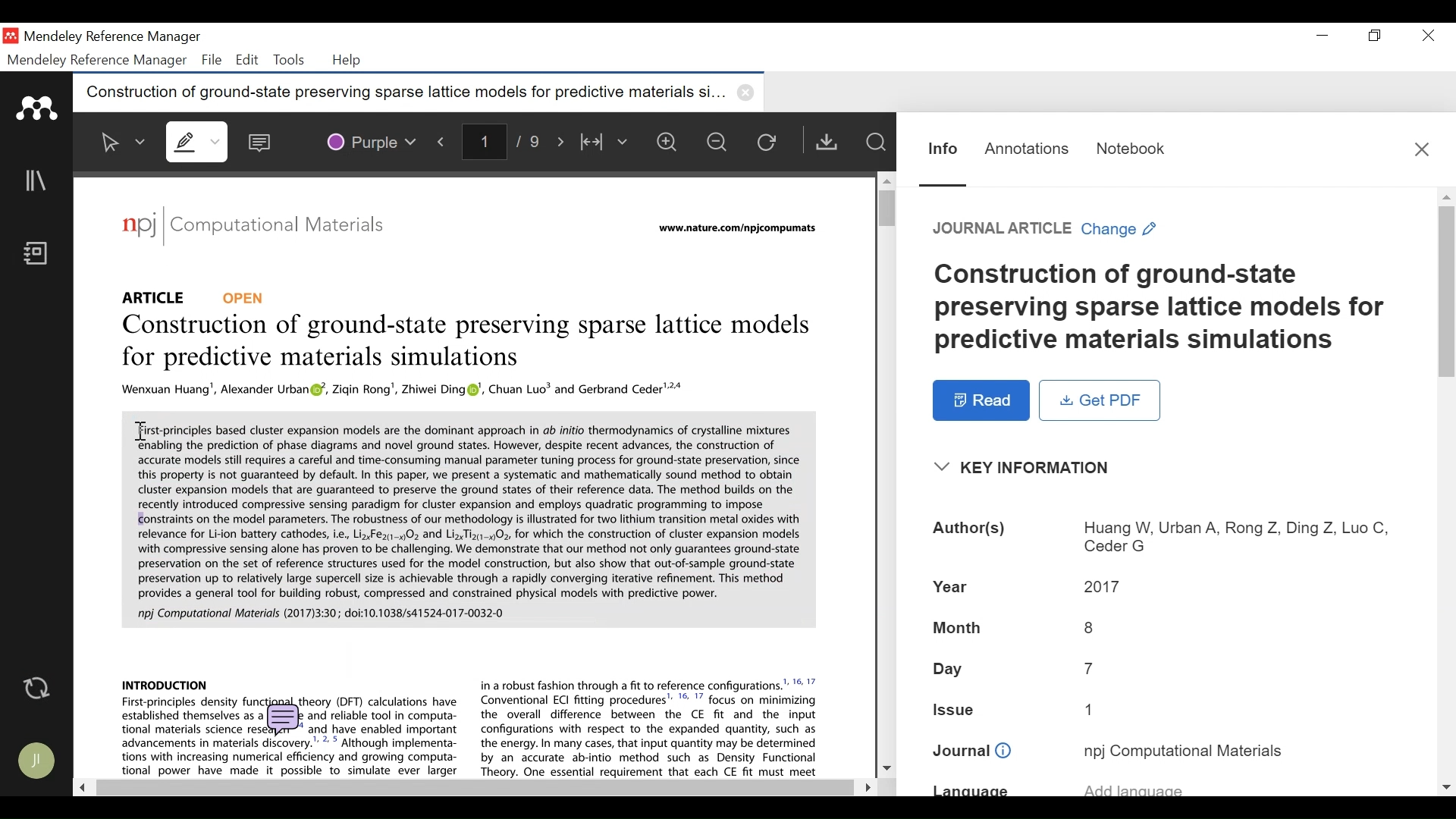  Describe the element at coordinates (1376, 36) in the screenshot. I see `Restore` at that location.